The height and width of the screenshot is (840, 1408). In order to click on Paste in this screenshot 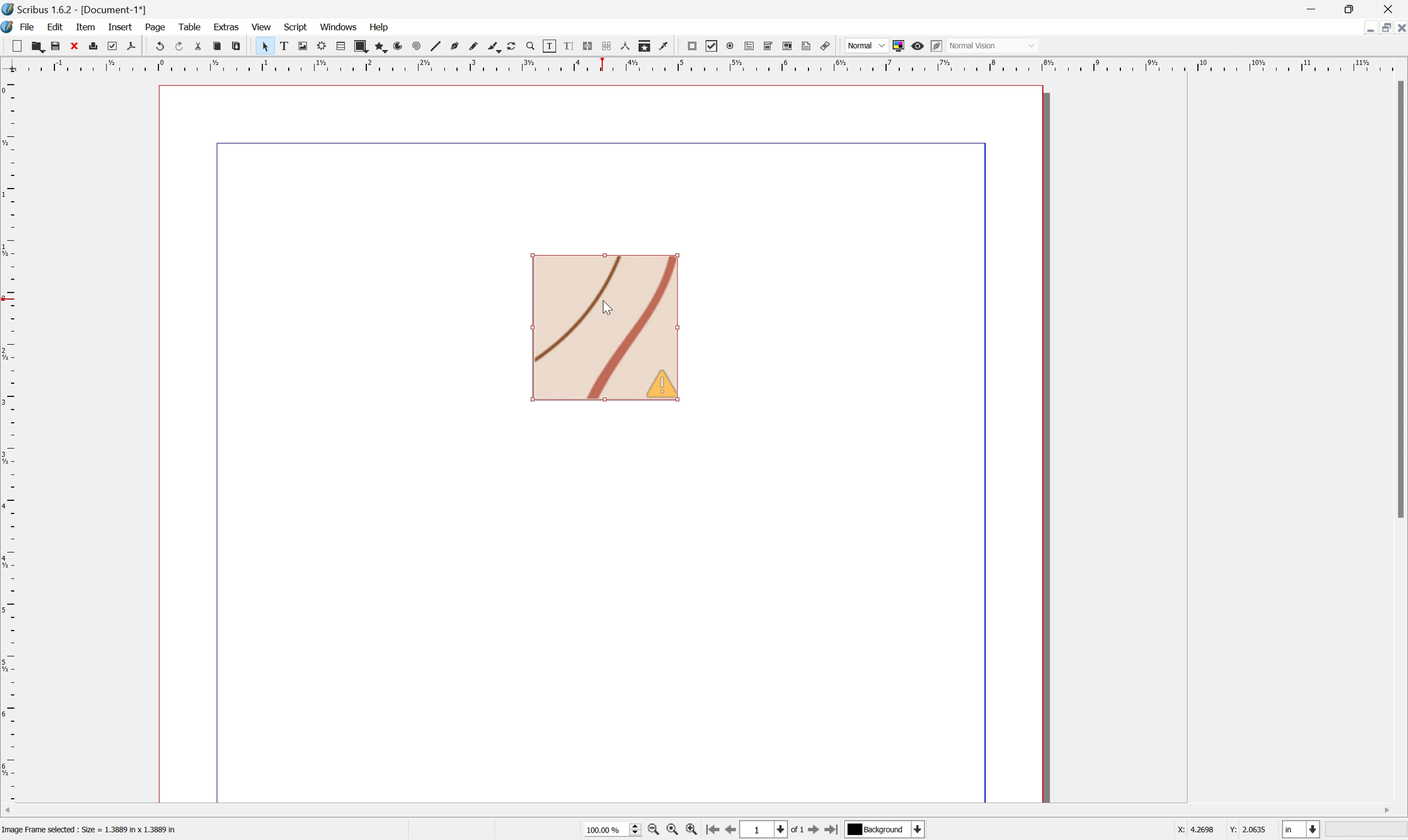, I will do `click(239, 46)`.